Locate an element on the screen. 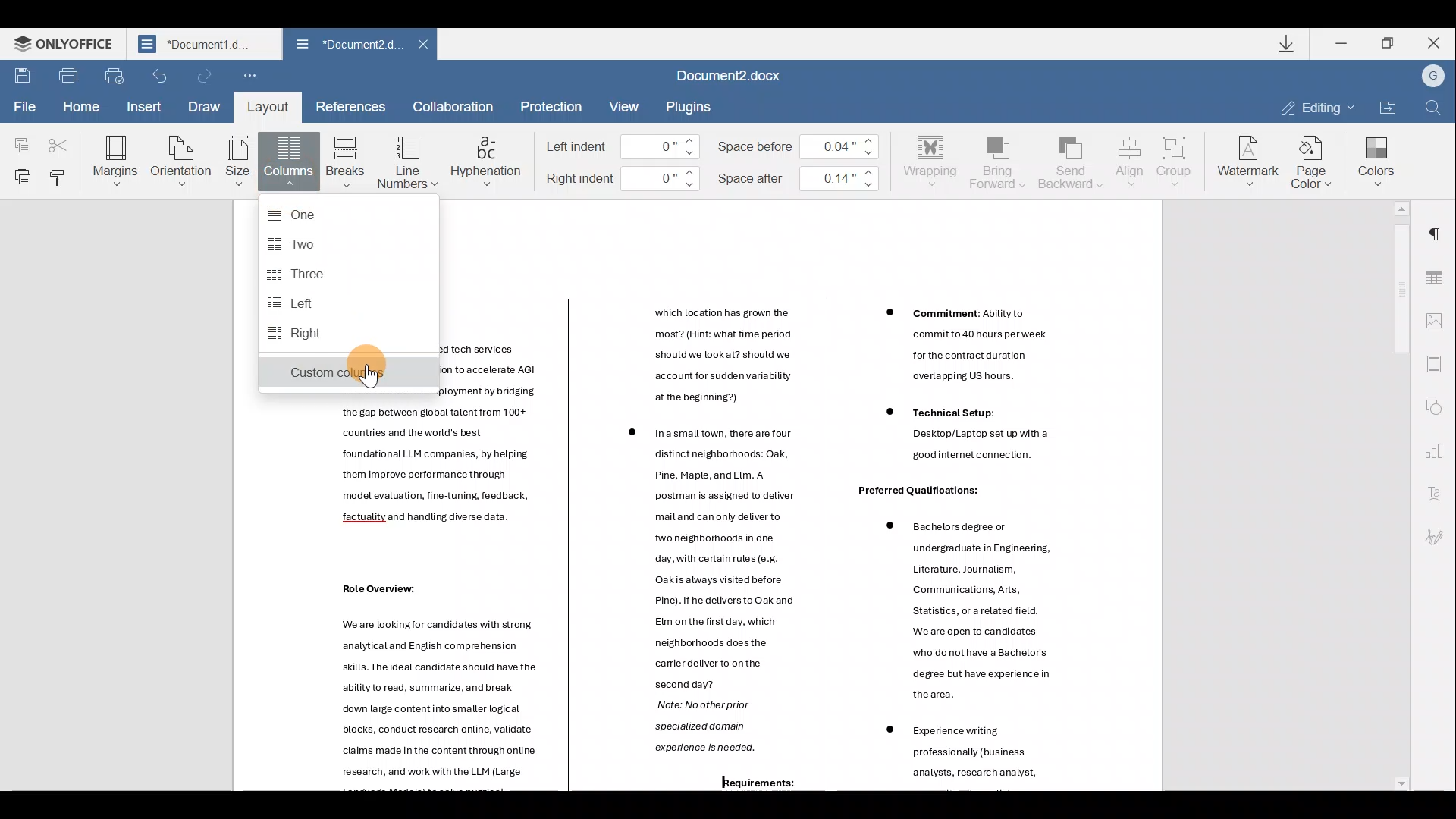 The height and width of the screenshot is (819, 1456). File is located at coordinates (22, 105).